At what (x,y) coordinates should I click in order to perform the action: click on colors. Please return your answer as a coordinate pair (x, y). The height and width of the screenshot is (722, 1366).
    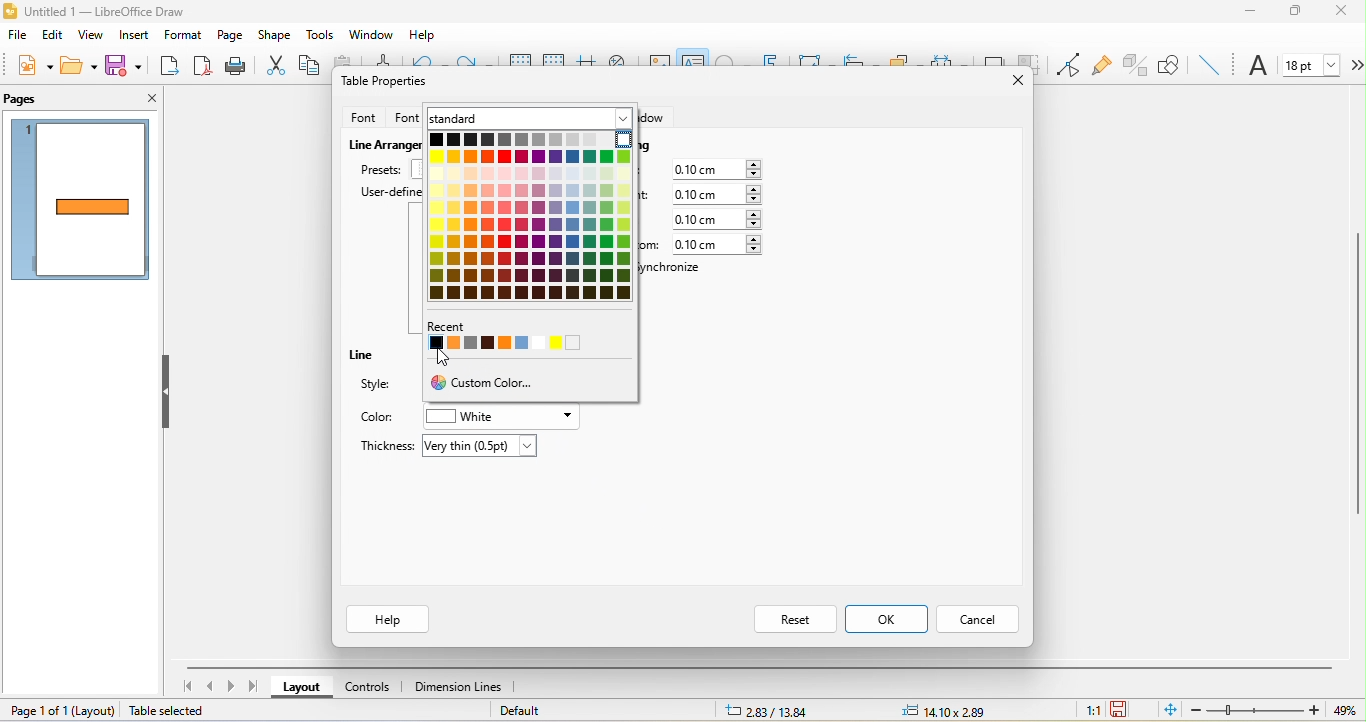
    Looking at the image, I should click on (531, 219).